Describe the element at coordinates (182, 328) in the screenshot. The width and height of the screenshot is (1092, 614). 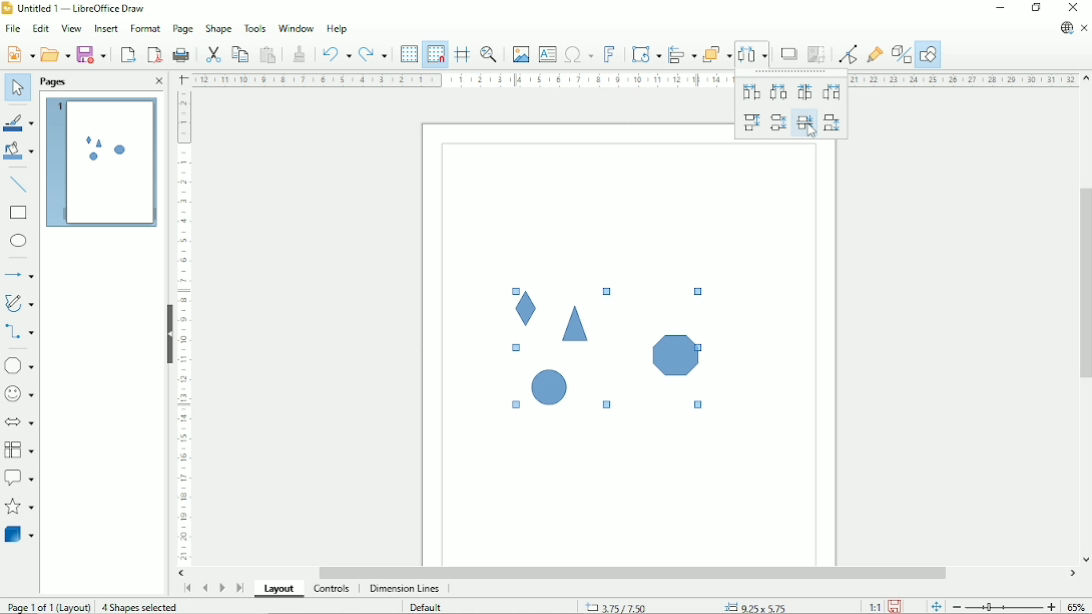
I see `Vertical scale` at that location.